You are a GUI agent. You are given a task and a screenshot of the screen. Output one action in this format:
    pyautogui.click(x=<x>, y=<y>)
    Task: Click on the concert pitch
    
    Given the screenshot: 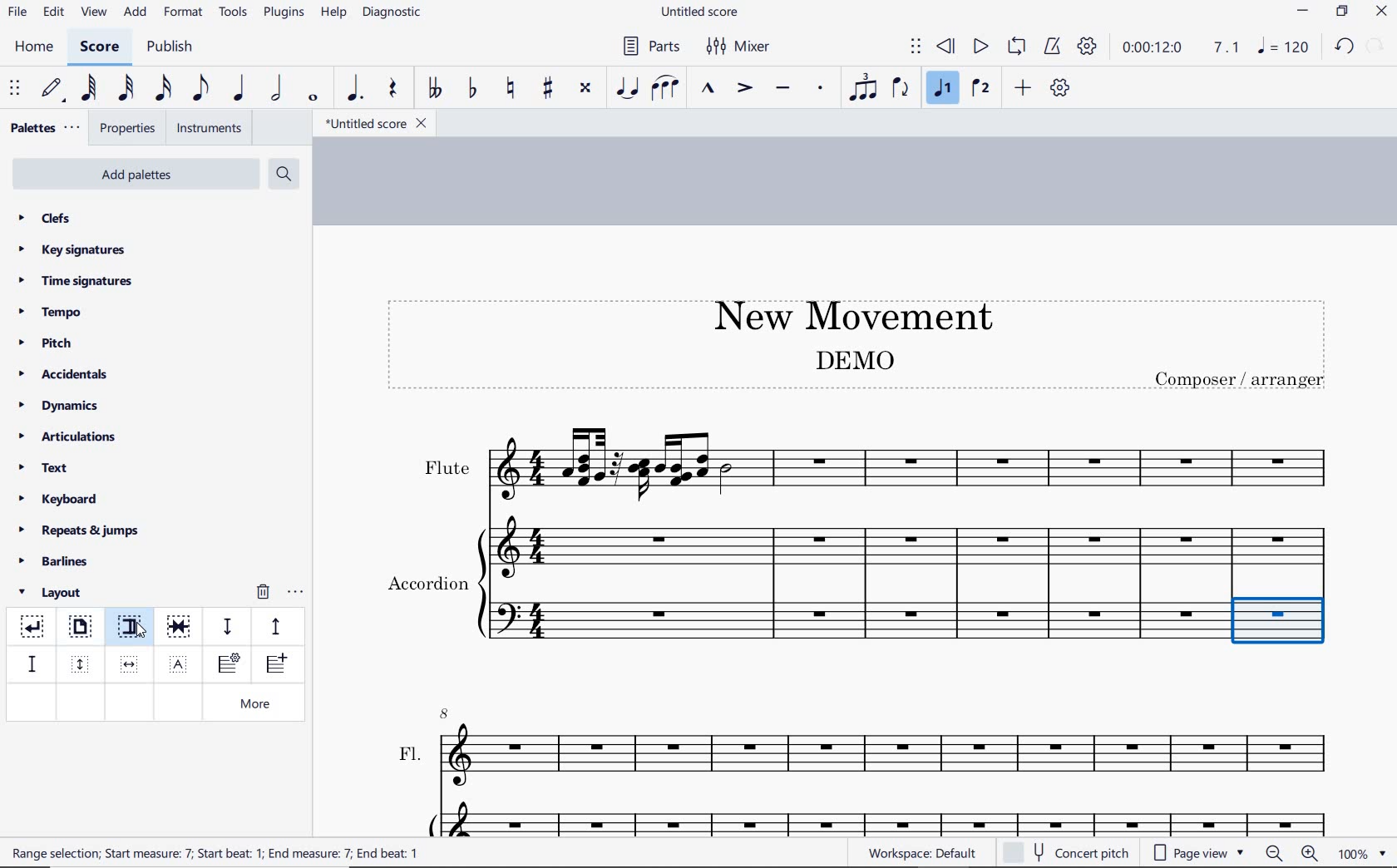 What is the action you would take?
    pyautogui.click(x=1068, y=851)
    